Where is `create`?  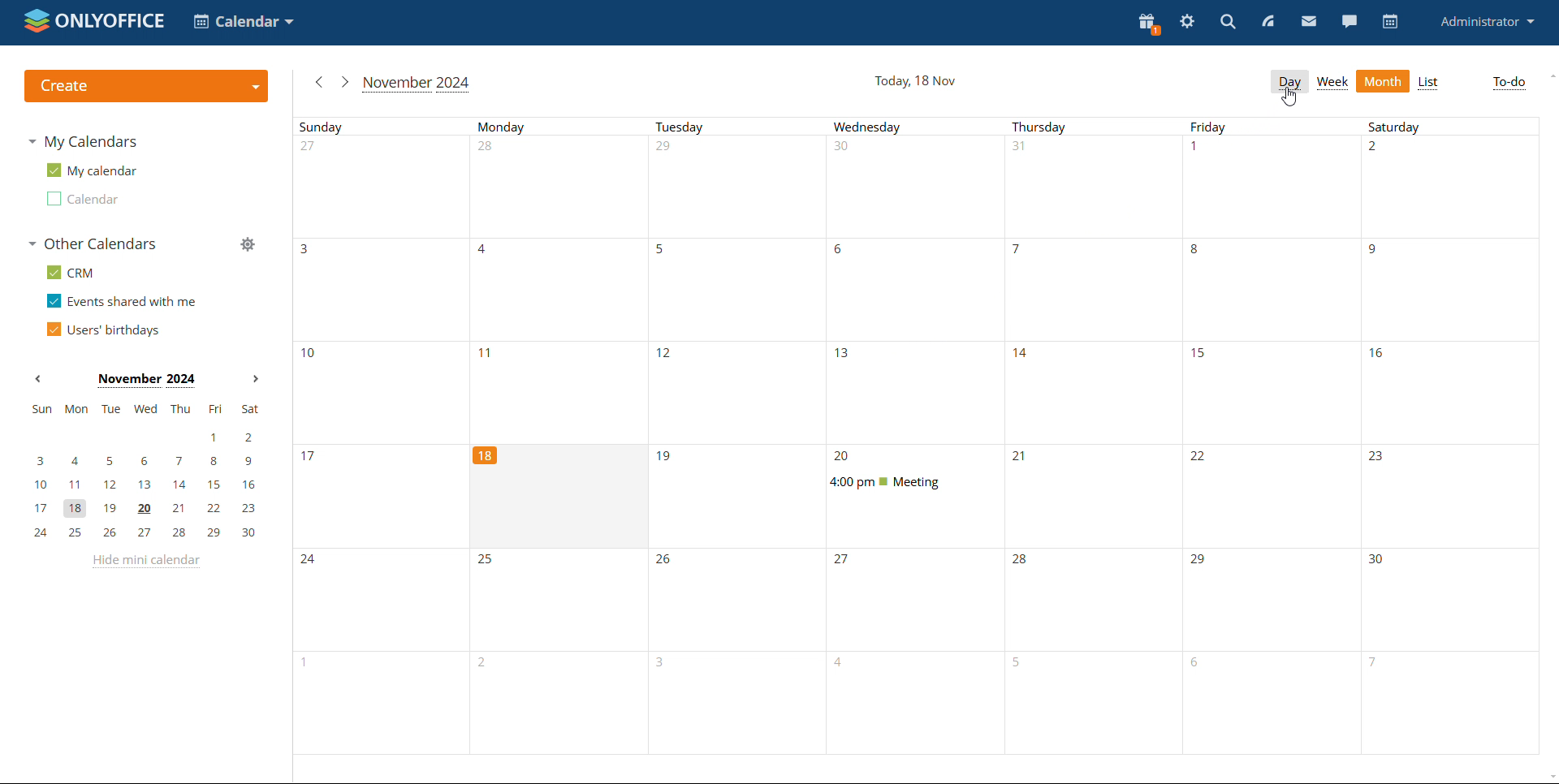
create is located at coordinates (145, 86).